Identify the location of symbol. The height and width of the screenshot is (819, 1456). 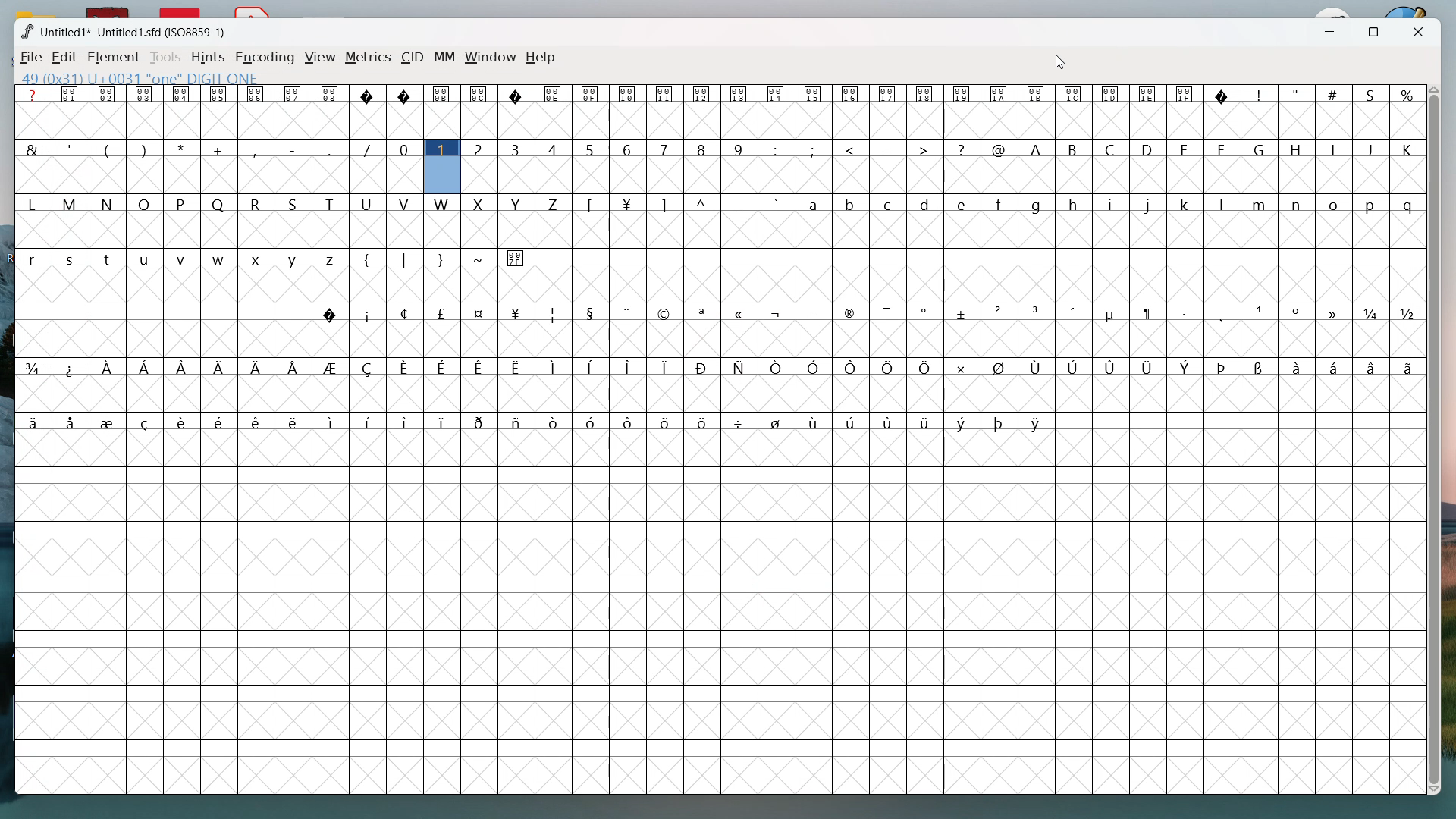
(891, 422).